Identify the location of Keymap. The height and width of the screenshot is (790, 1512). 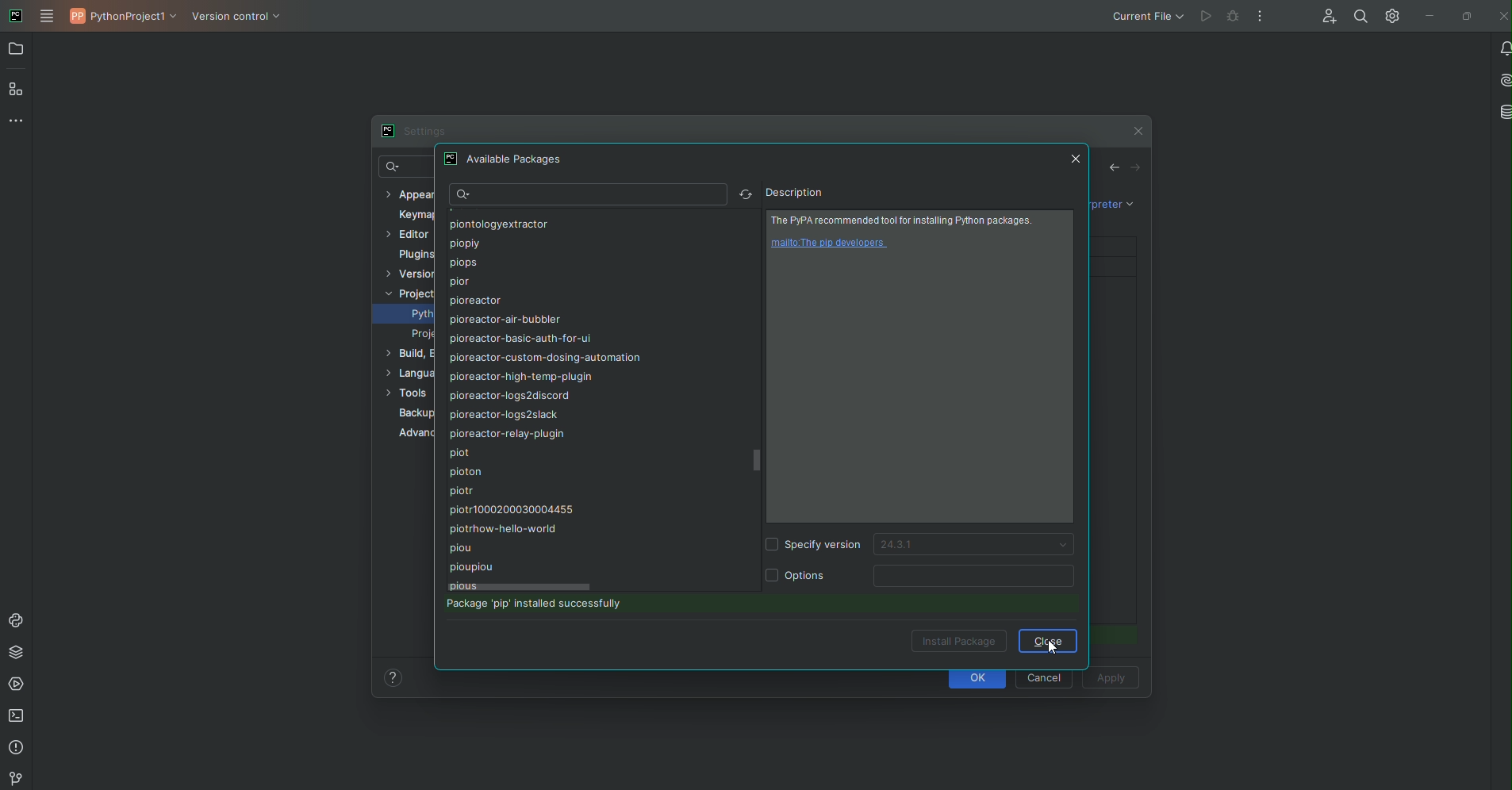
(416, 213).